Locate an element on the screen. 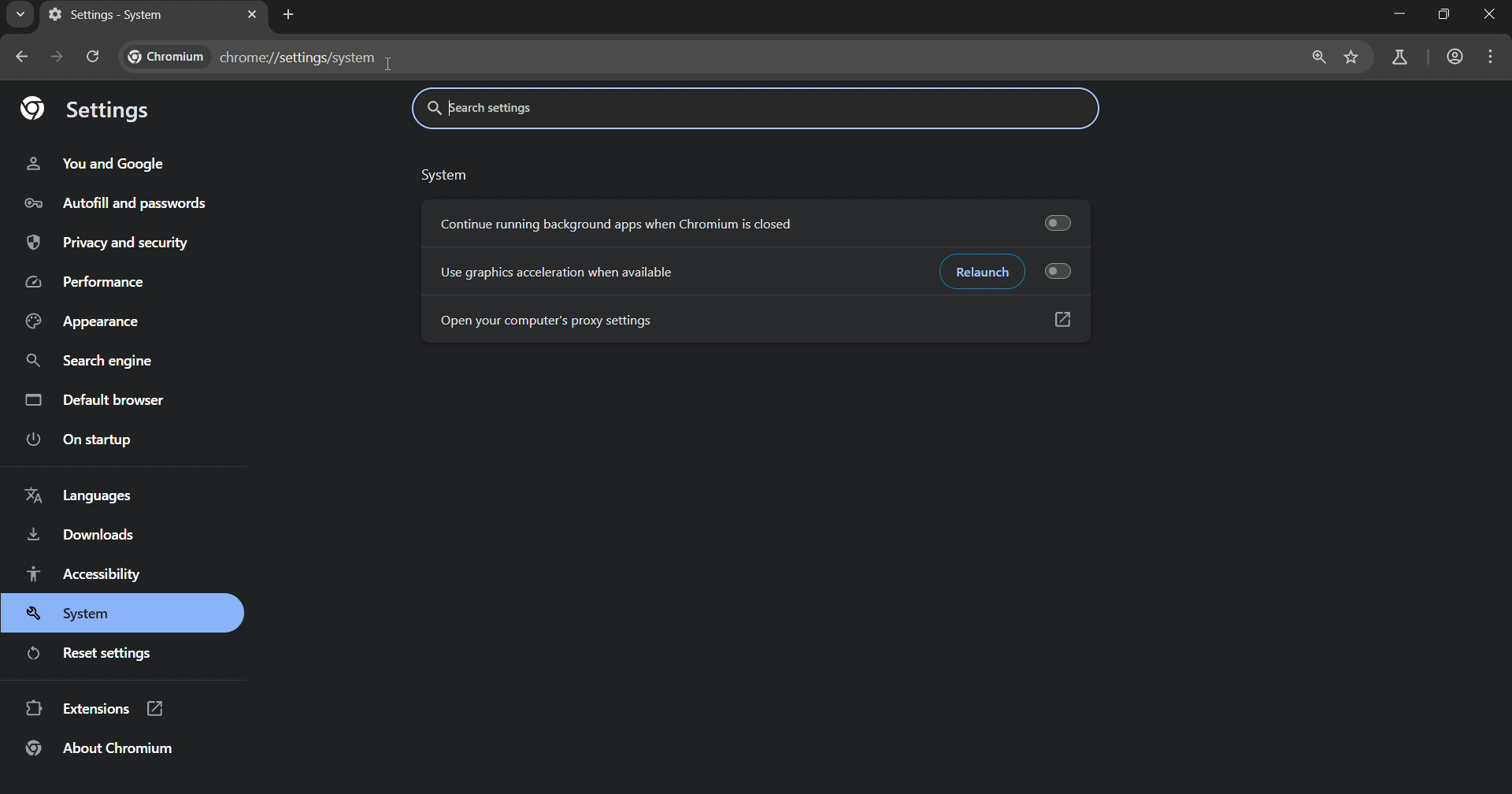 This screenshot has width=1512, height=794. chrome://settings/system is located at coordinates (252, 58).